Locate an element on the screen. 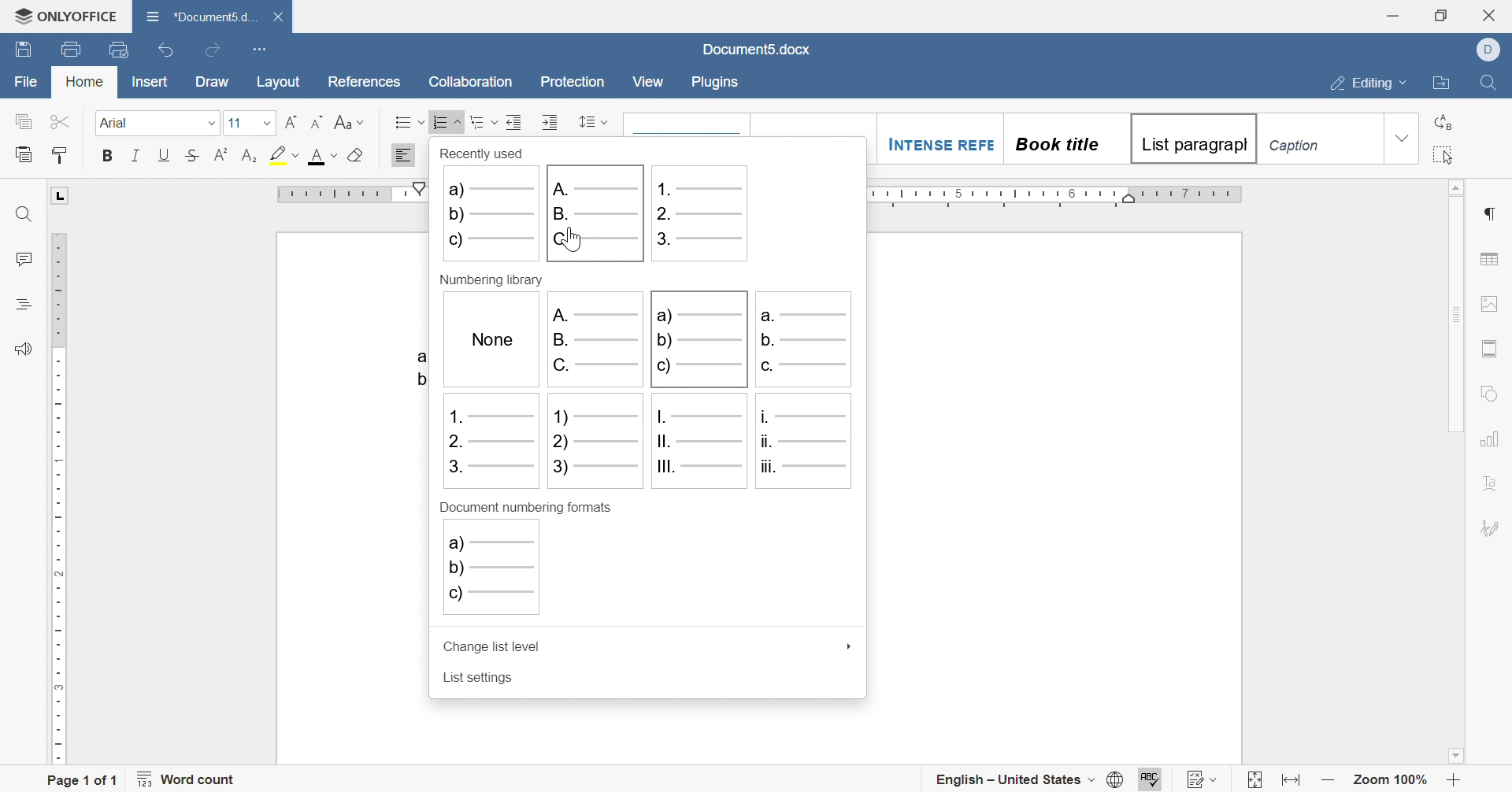 This screenshot has height=792, width=1512. drop down is located at coordinates (212, 123).